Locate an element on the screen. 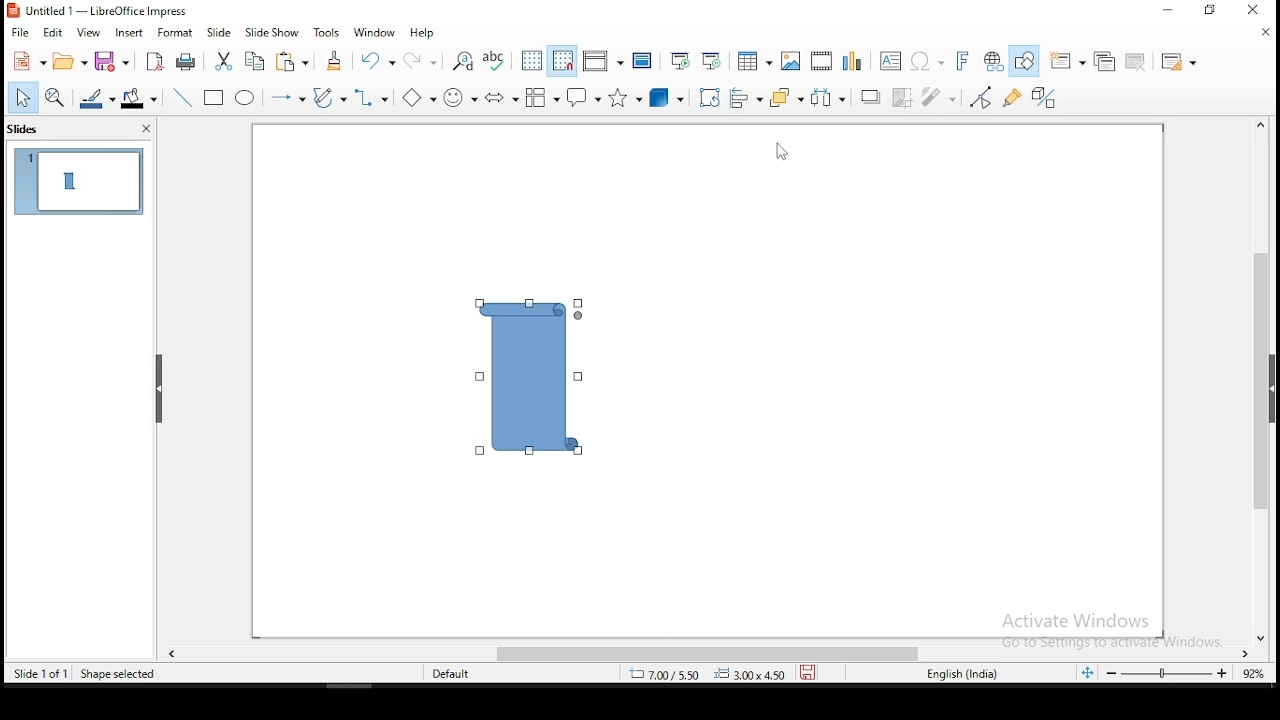 The width and height of the screenshot is (1280, 720). scroll bar is located at coordinates (1262, 381).